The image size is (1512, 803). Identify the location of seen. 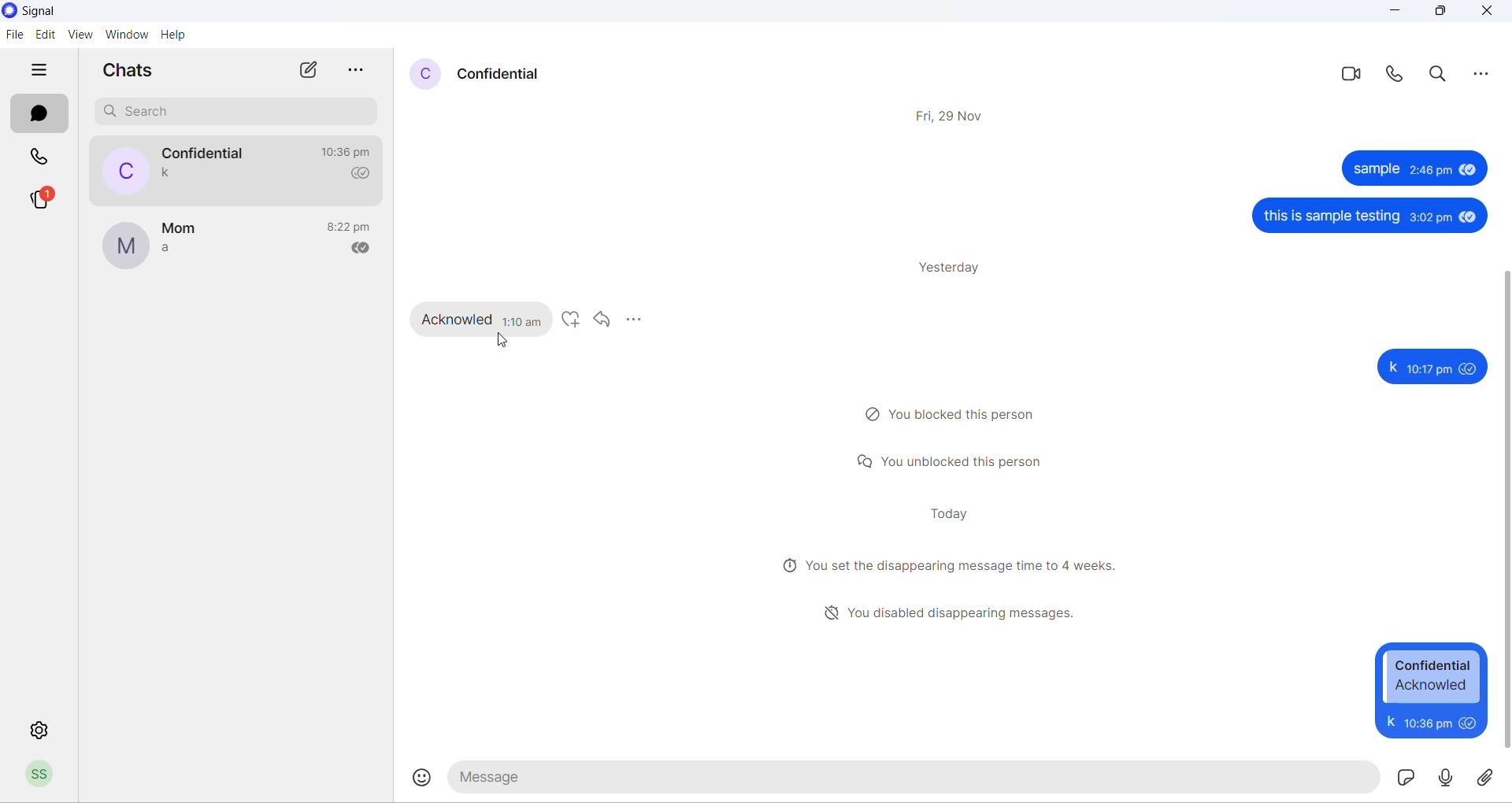
(1470, 169).